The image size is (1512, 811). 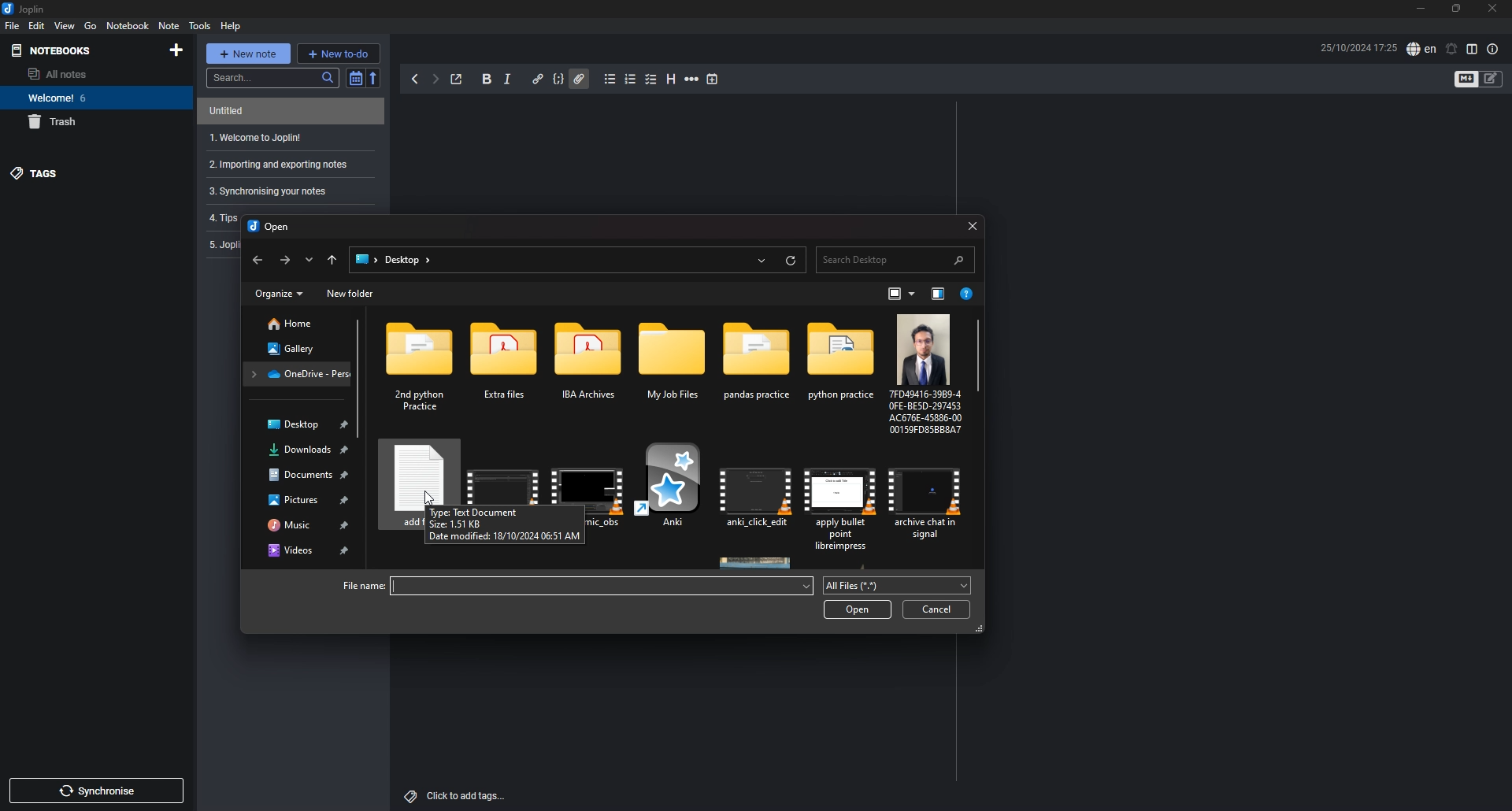 I want to click on toggle sort order field, so click(x=355, y=78).